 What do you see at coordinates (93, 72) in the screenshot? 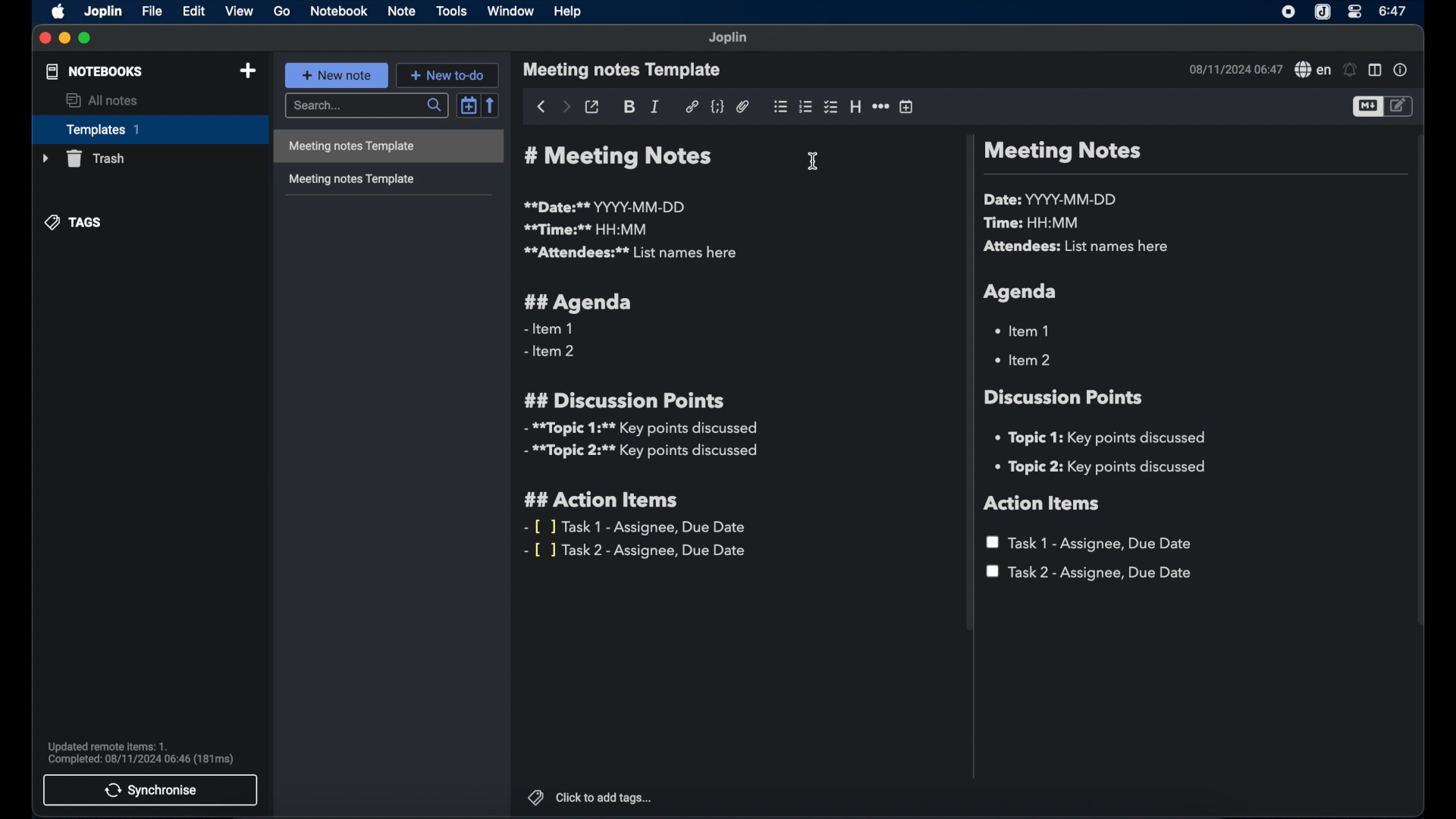
I see `notebooks` at bounding box center [93, 72].